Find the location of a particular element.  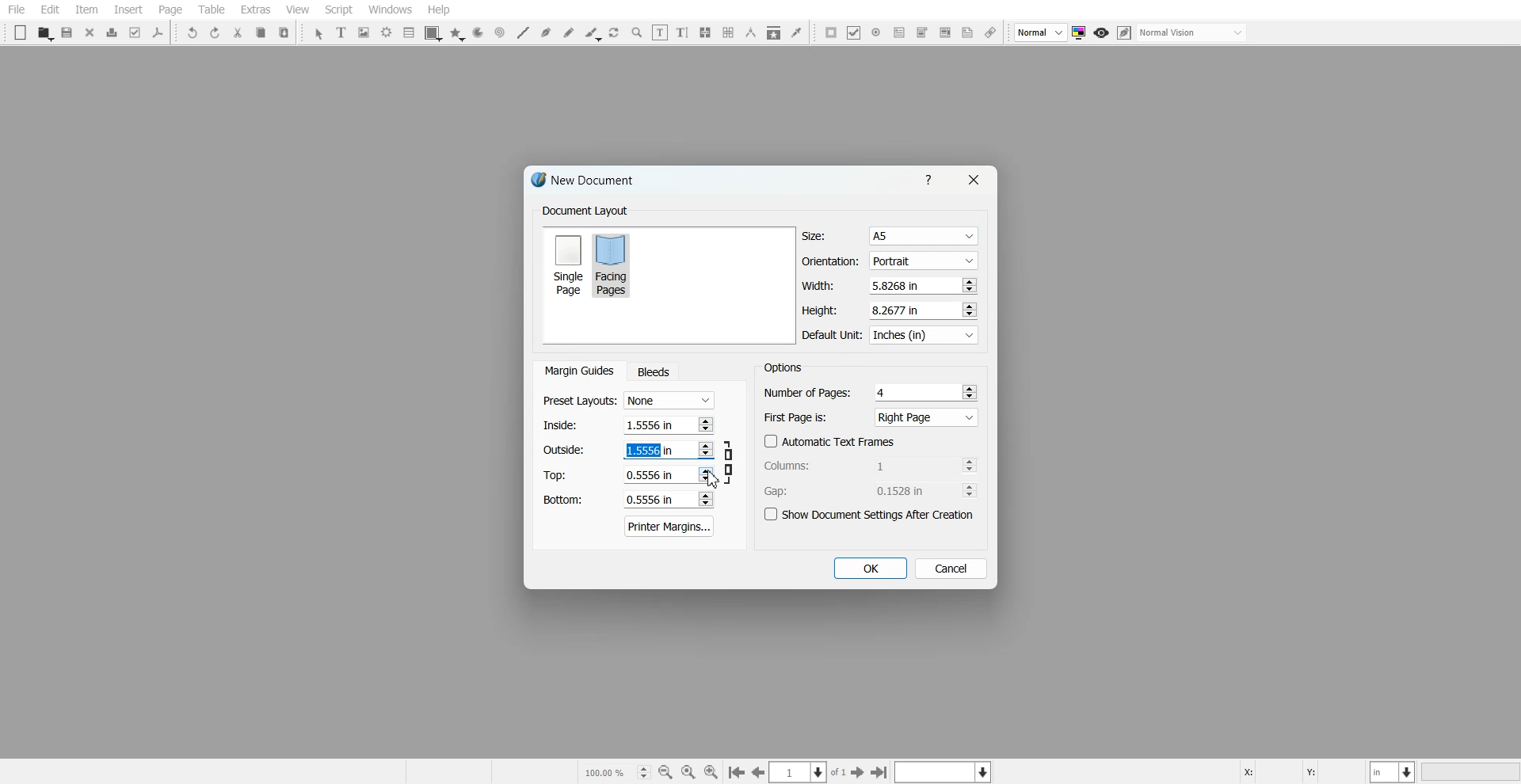

PDF Radio Button is located at coordinates (876, 32).